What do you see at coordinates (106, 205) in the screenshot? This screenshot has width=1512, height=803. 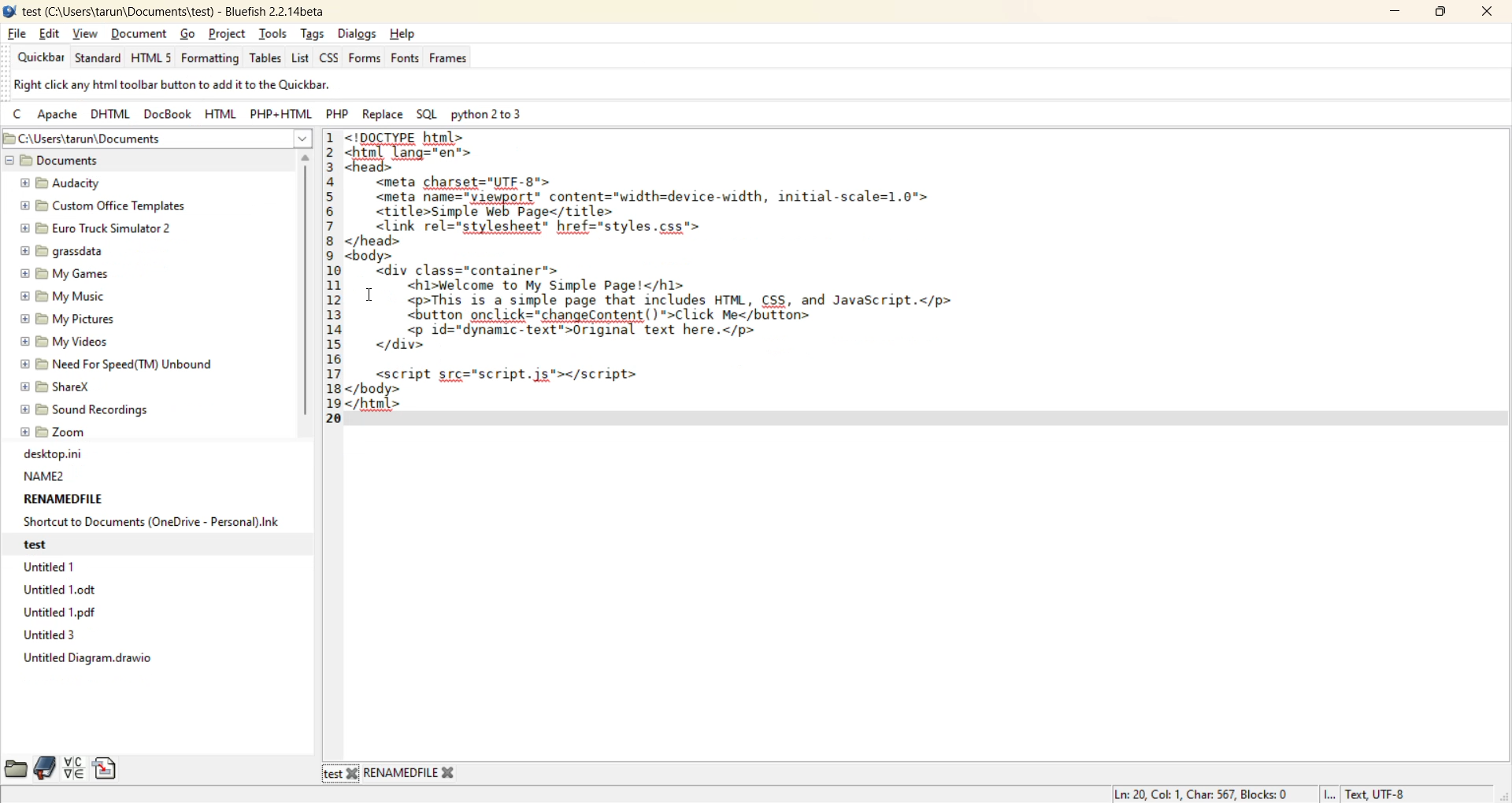 I see `® 9 Custom Office Templates` at bounding box center [106, 205].